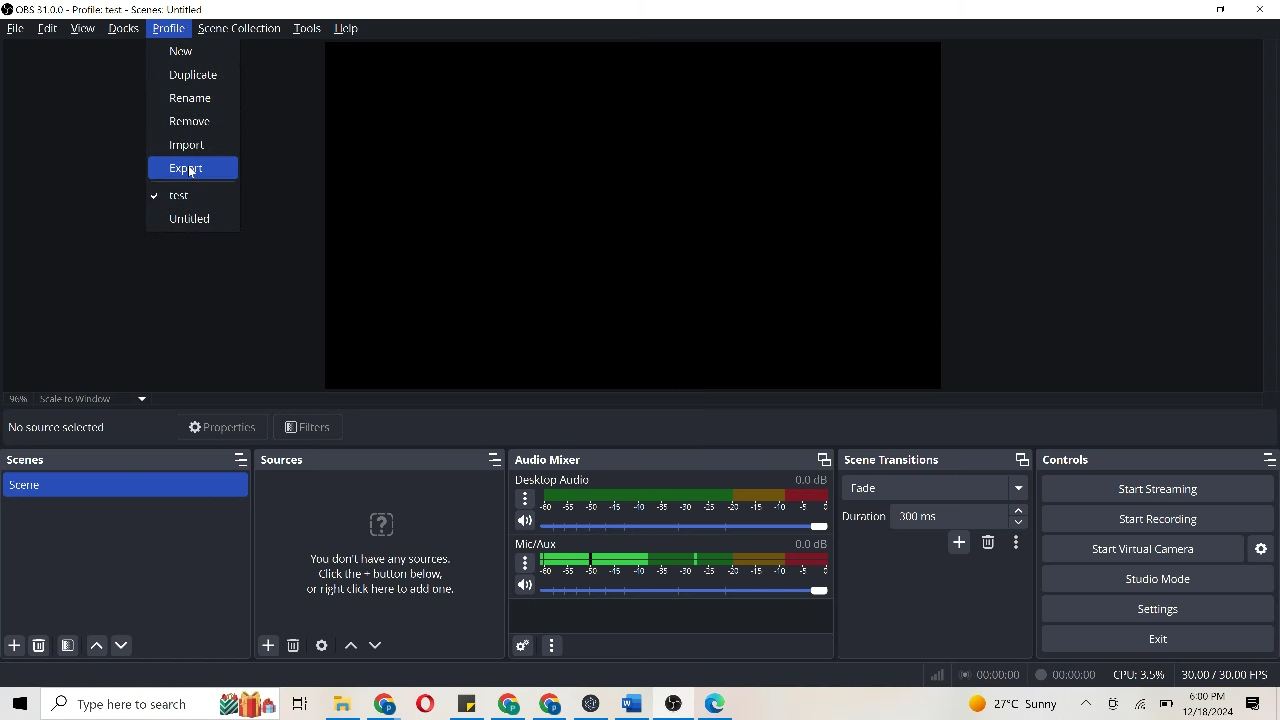  Describe the element at coordinates (1013, 542) in the screenshot. I see `transition properties` at that location.